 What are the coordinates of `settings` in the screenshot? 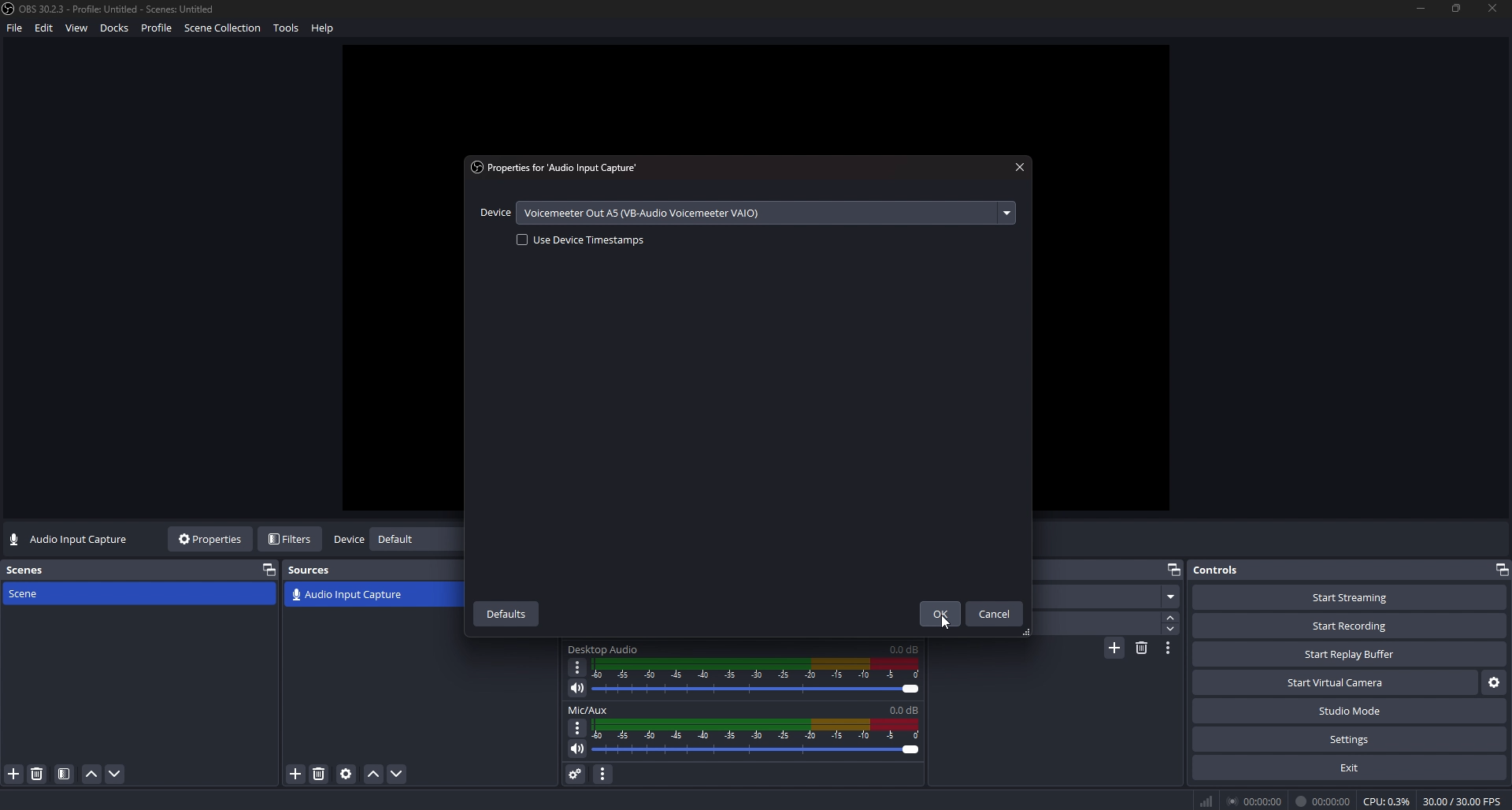 It's located at (1492, 684).